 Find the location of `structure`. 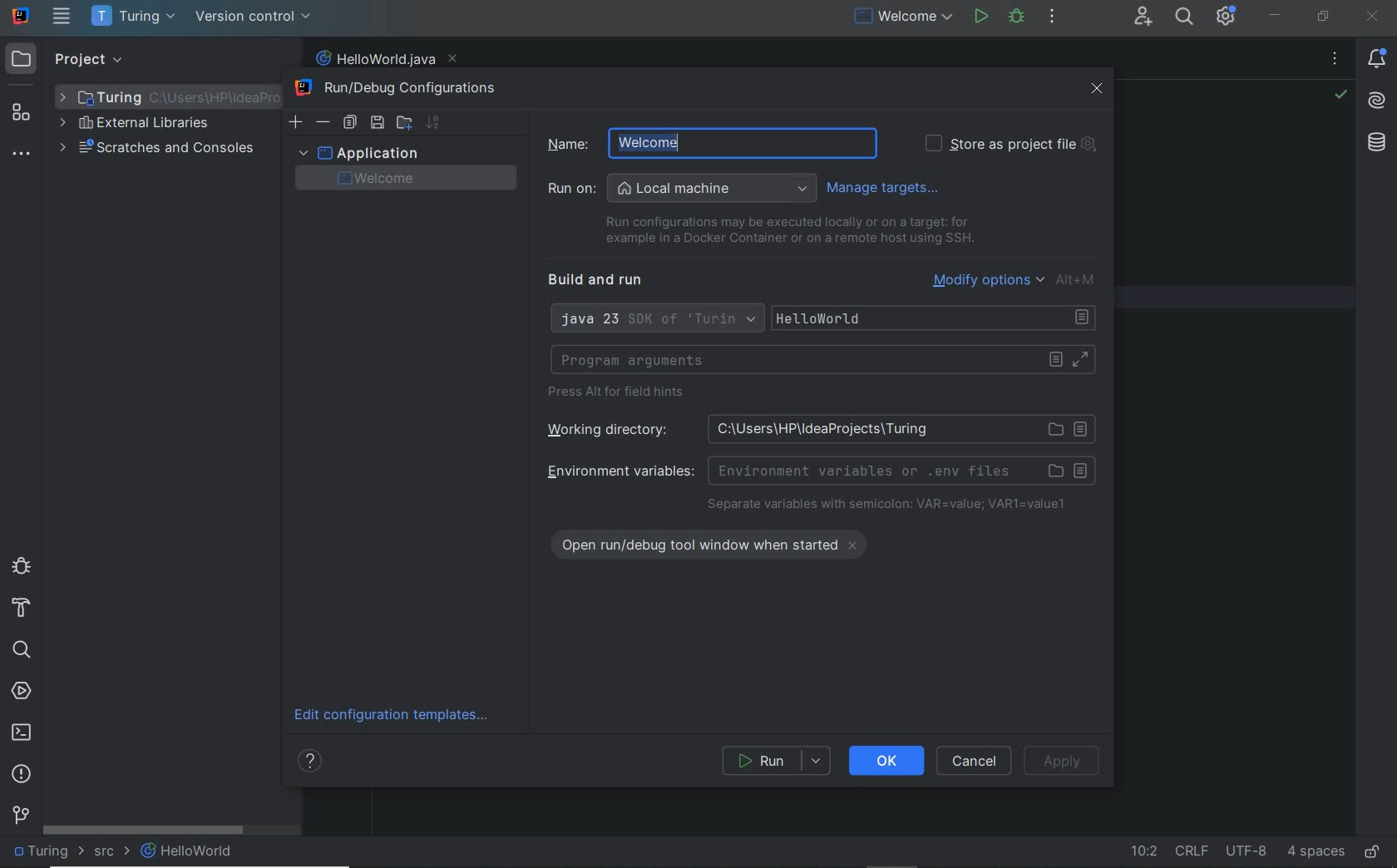

structure is located at coordinates (22, 113).